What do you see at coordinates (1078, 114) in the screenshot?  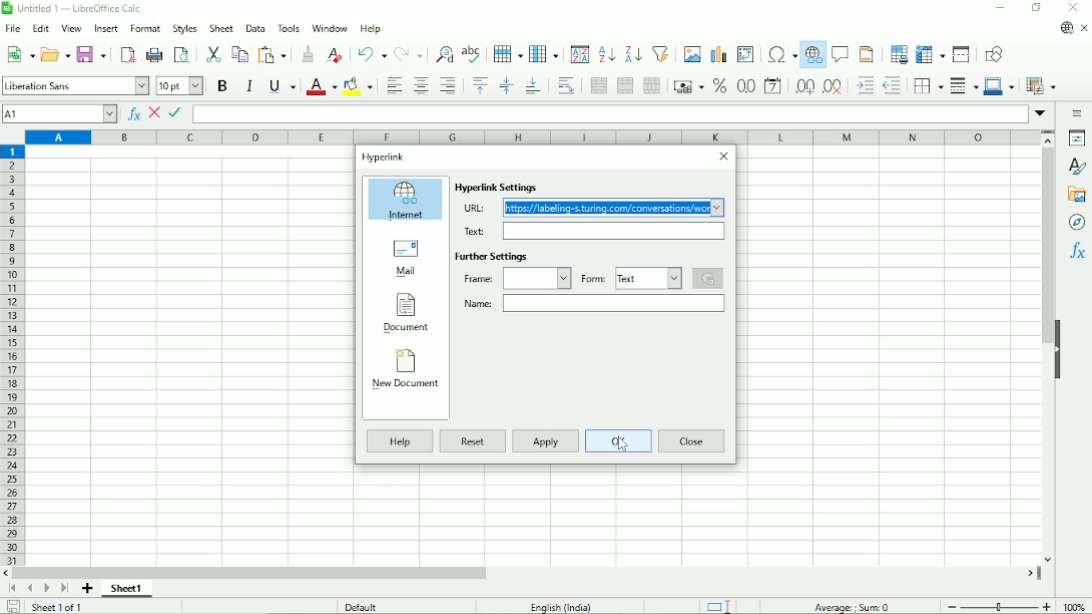 I see `Sidebar settings` at bounding box center [1078, 114].